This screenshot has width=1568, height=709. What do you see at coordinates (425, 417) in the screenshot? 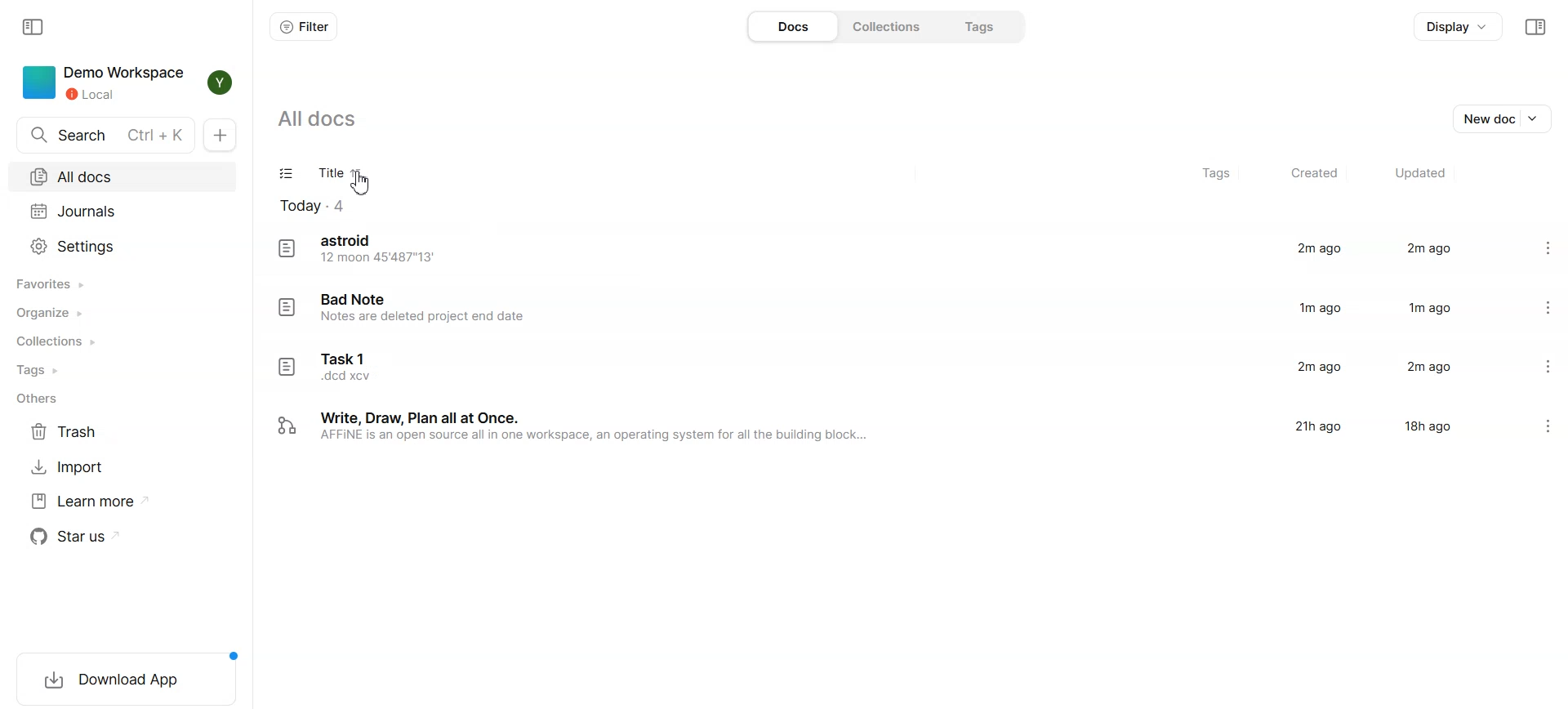
I see `Write, Draw, Plan all at Once.` at bounding box center [425, 417].